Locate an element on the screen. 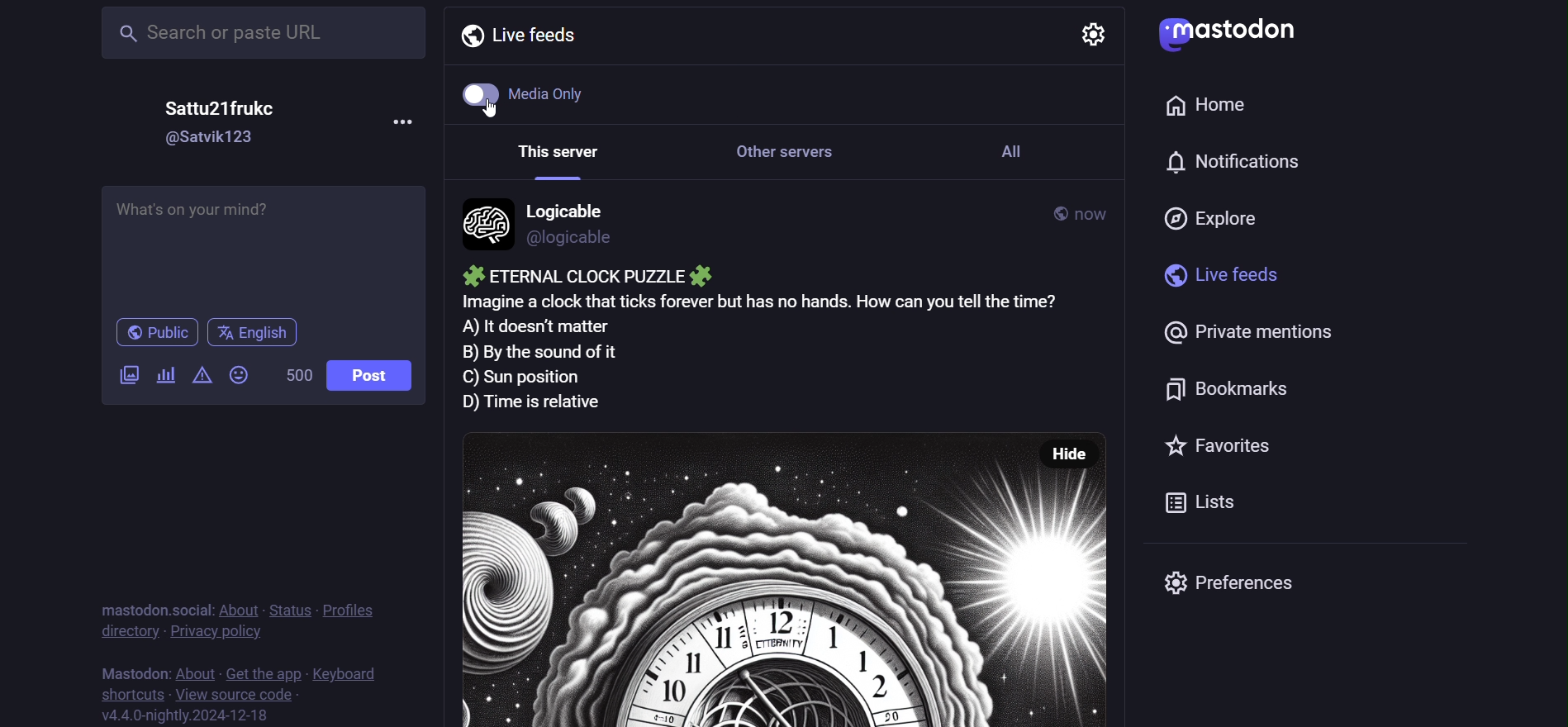 The image size is (1568, 727). Sattu21frukc is located at coordinates (222, 108).